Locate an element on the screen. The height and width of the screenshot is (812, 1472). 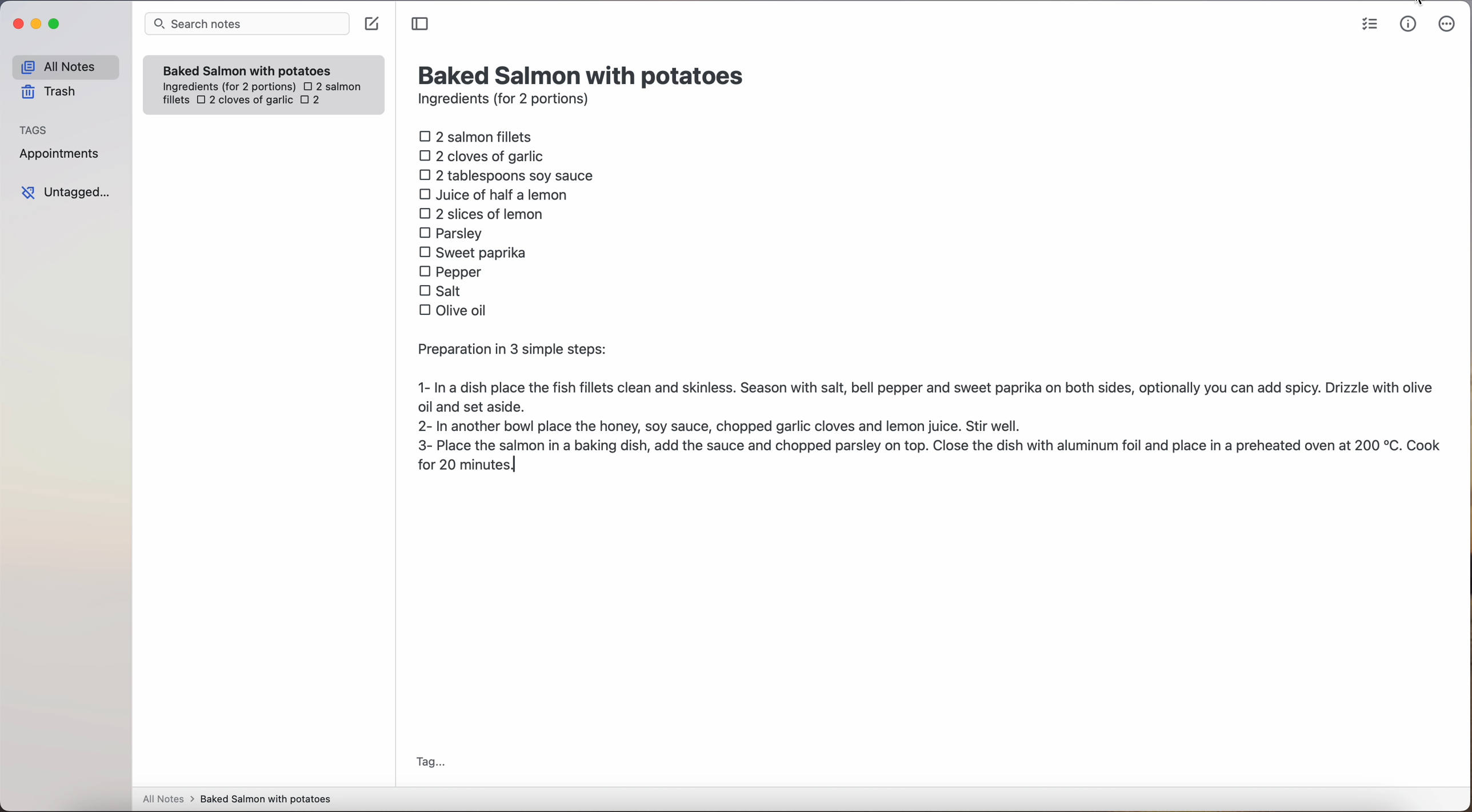
search bar is located at coordinates (246, 25).